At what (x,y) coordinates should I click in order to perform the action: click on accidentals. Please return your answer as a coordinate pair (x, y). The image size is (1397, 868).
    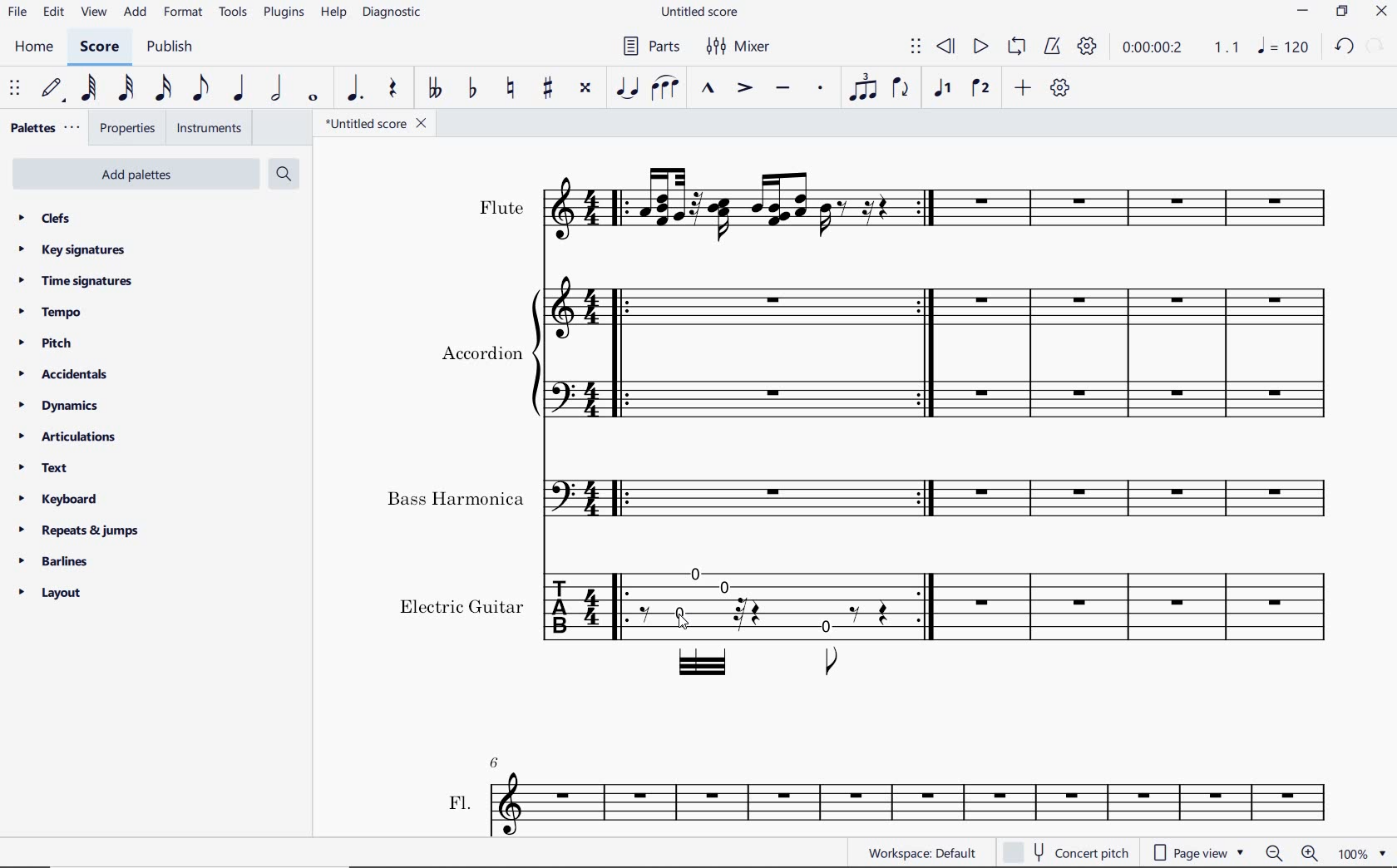
    Looking at the image, I should click on (64, 372).